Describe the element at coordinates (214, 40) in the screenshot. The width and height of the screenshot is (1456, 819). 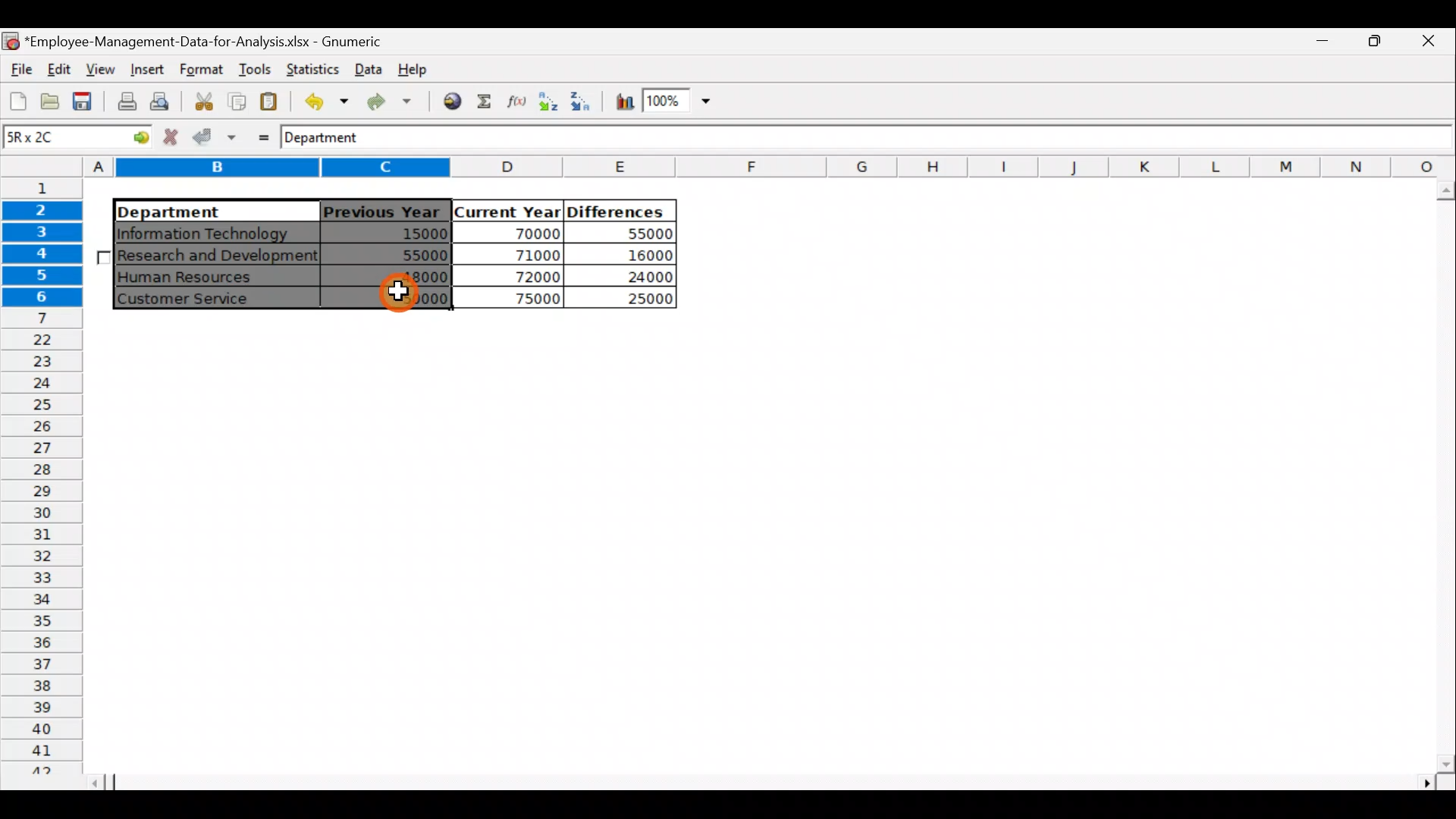
I see `Employee-Management-Data-for-Analysis.xlsx - Gnumeric` at that location.